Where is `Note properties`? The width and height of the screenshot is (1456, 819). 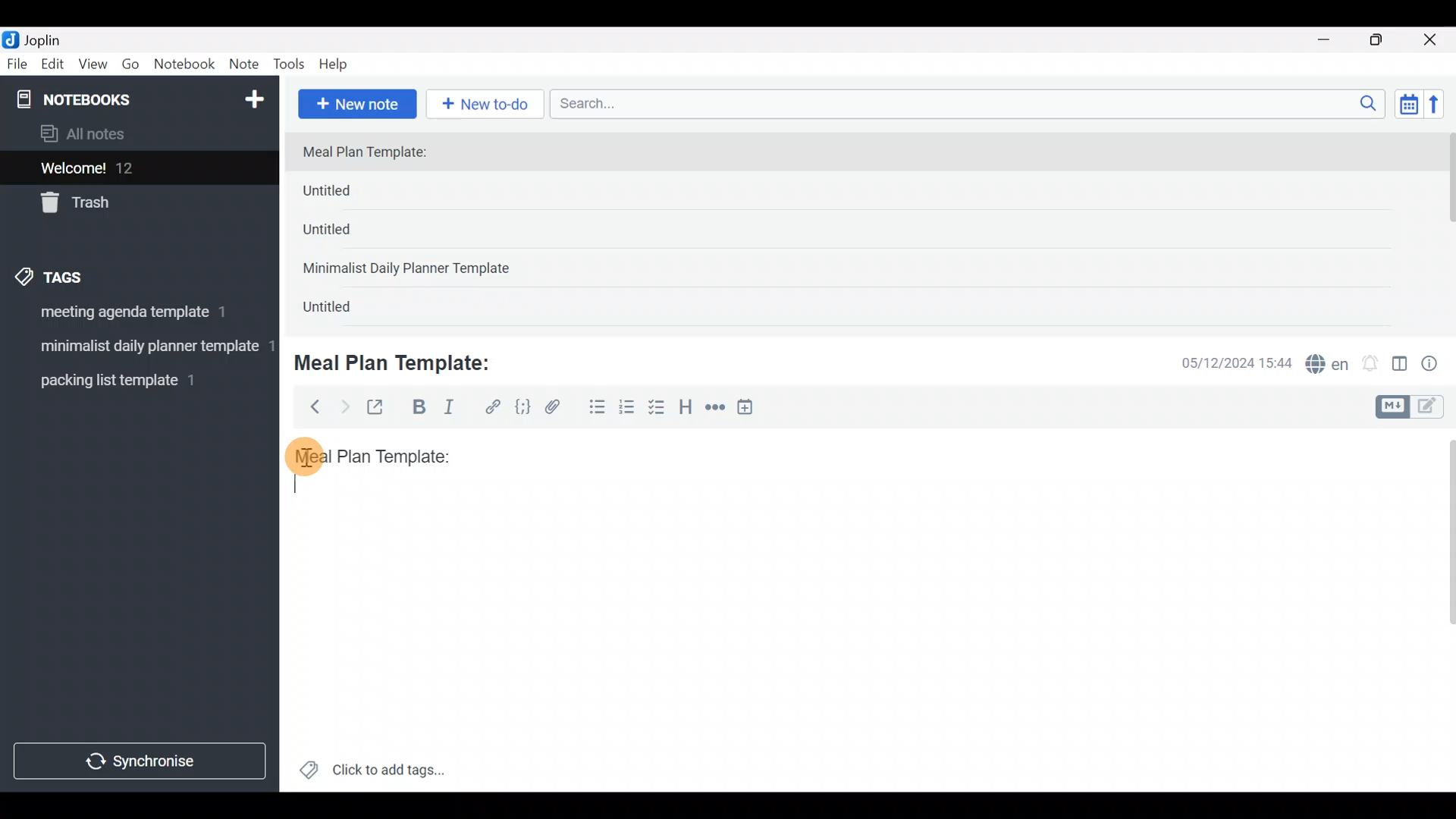
Note properties is located at coordinates (1436, 365).